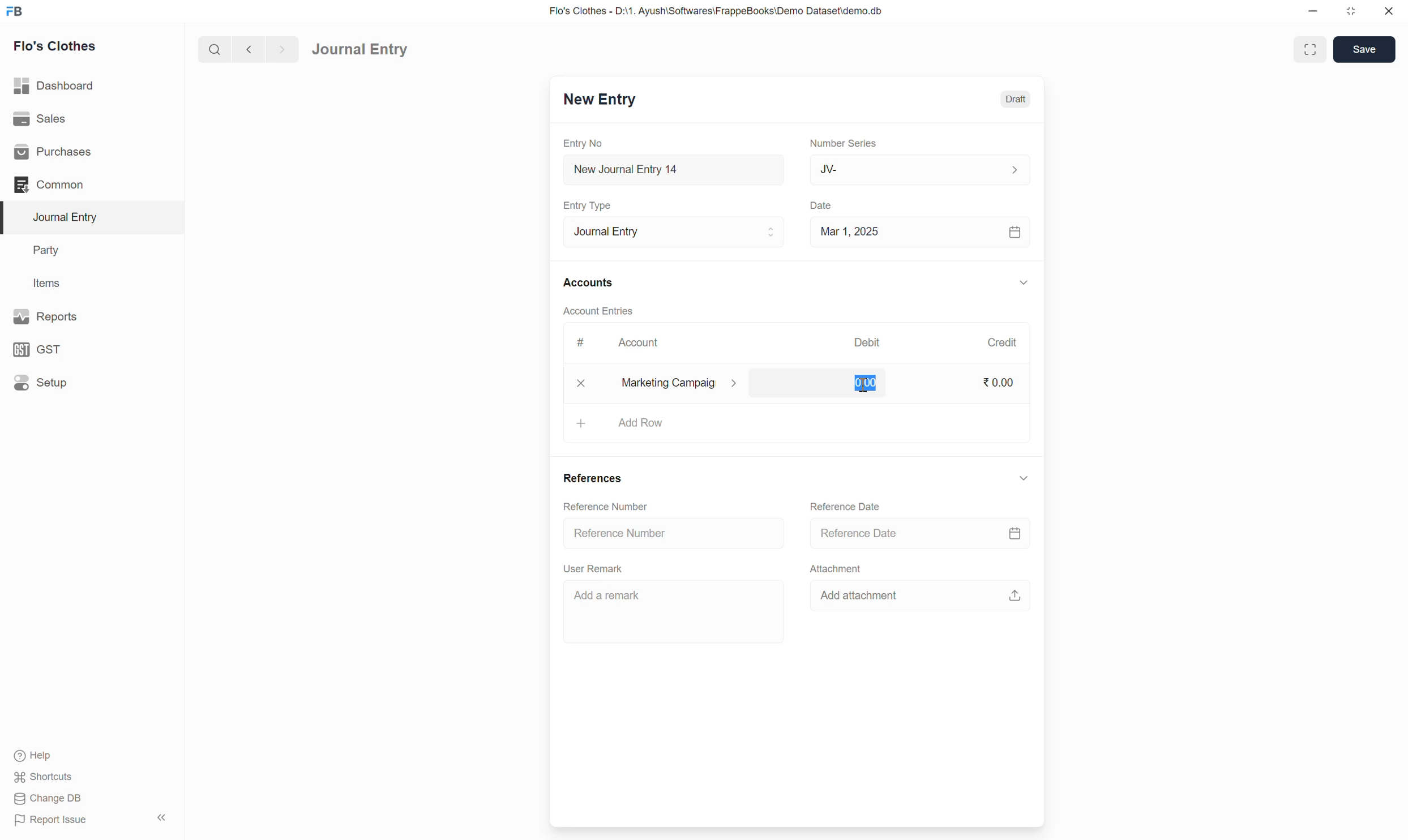  Describe the element at coordinates (603, 506) in the screenshot. I see `Reference Number` at that location.